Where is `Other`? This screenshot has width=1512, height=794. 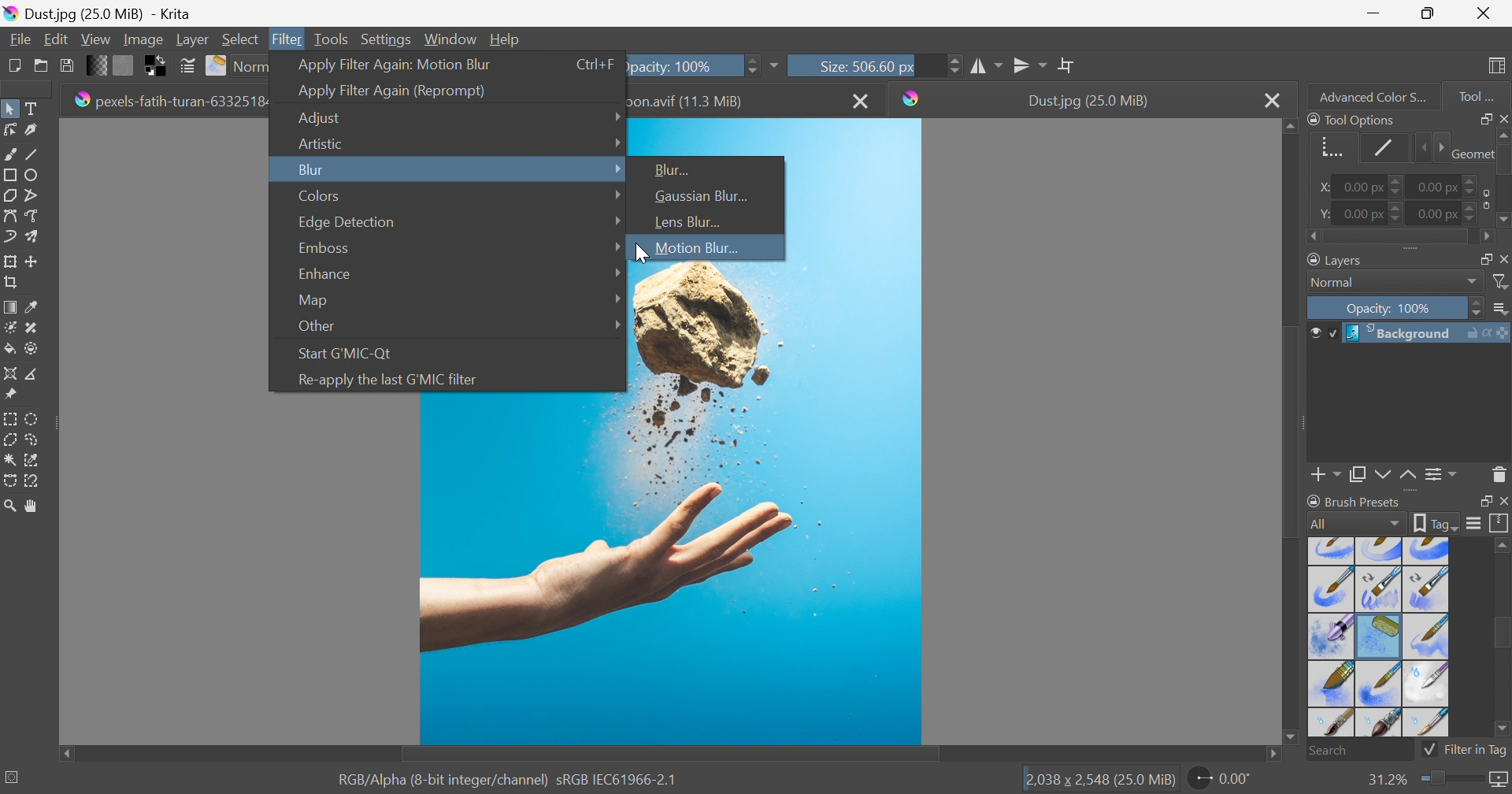 Other is located at coordinates (317, 327).